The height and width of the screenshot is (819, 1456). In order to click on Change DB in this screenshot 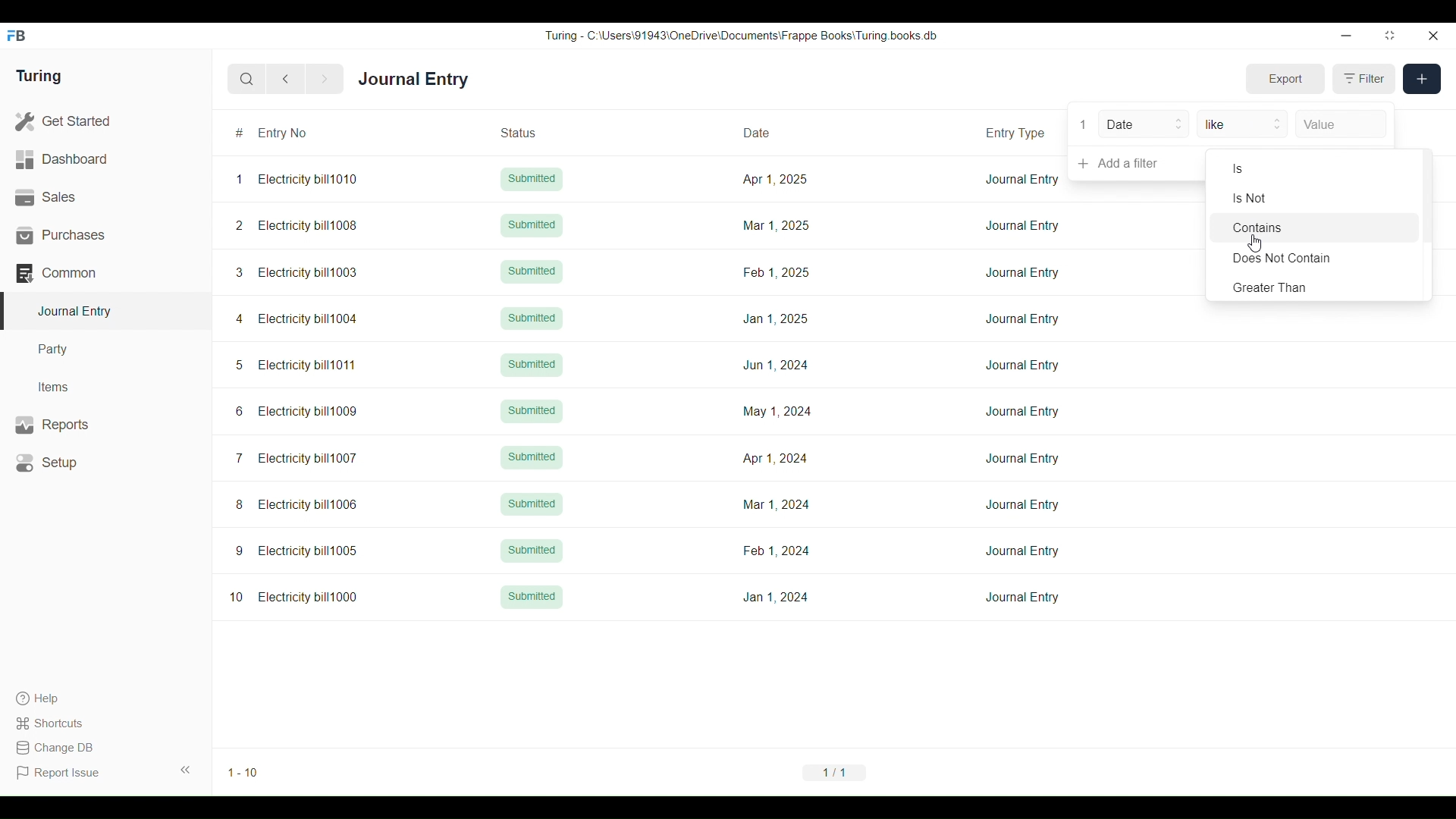, I will do `click(58, 748)`.